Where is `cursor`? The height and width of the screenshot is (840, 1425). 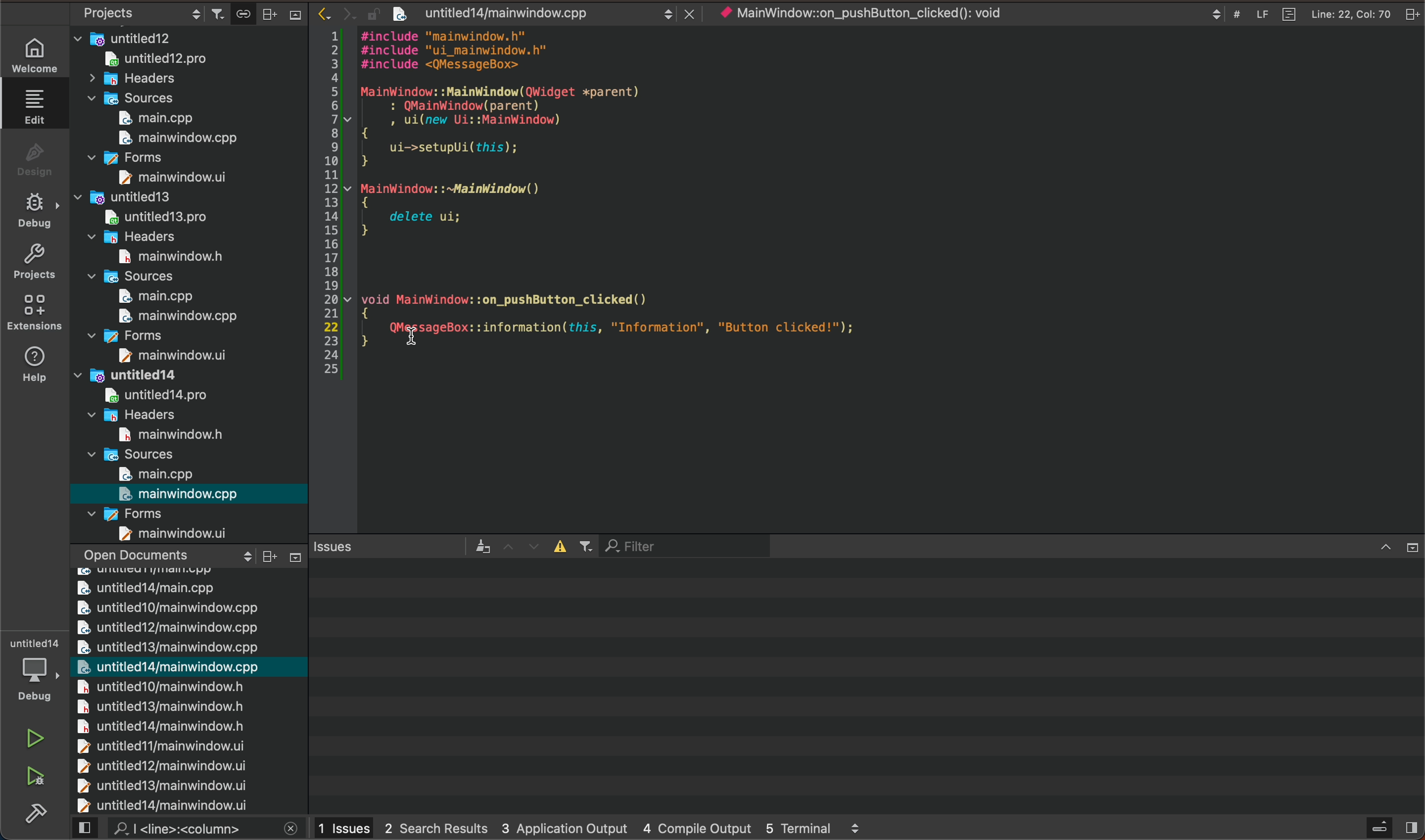 cursor is located at coordinates (420, 328).